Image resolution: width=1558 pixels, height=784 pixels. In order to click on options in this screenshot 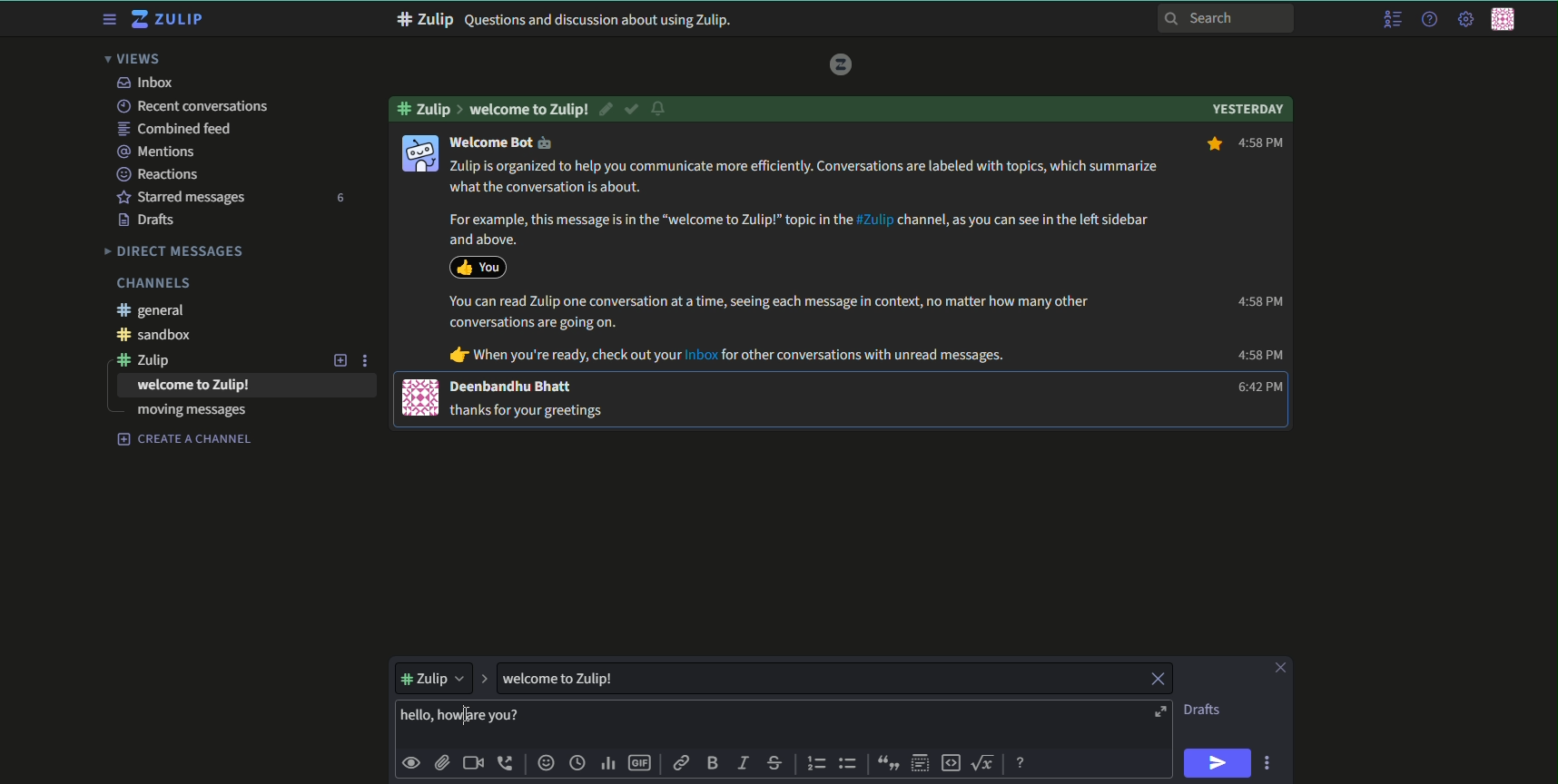, I will do `click(1270, 762)`.